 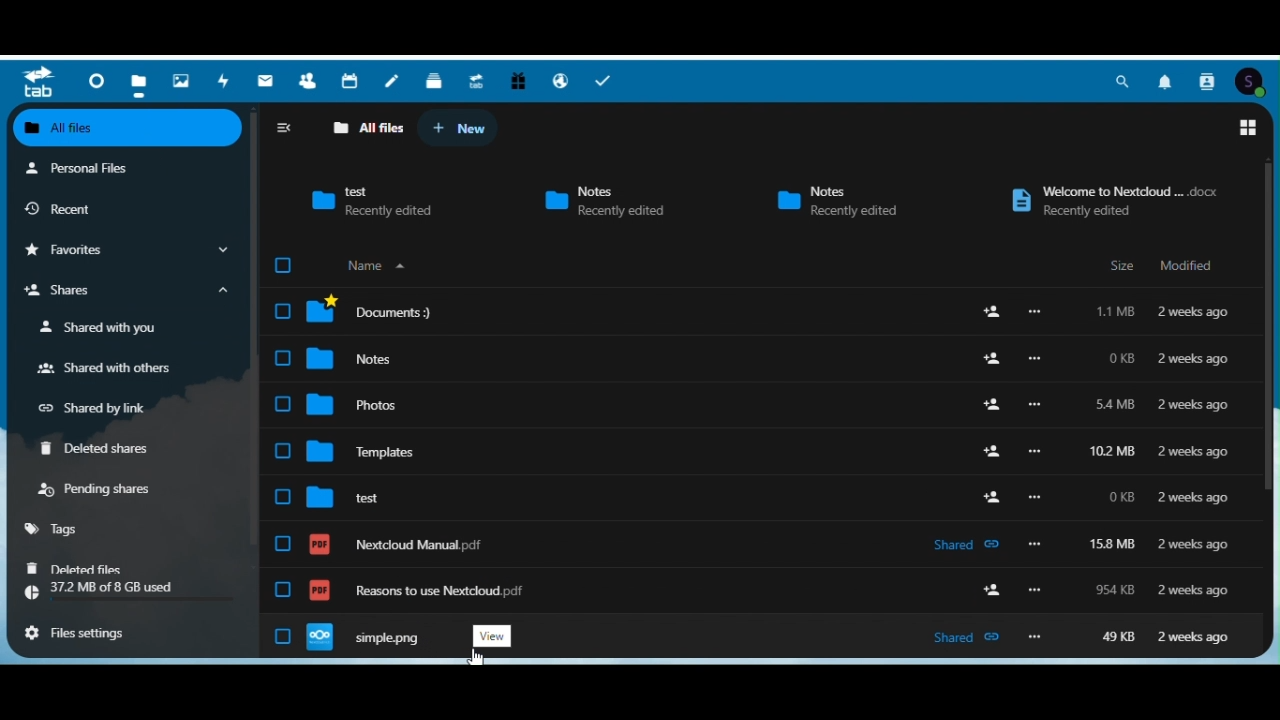 What do you see at coordinates (1114, 404) in the screenshot?
I see `size` at bounding box center [1114, 404].